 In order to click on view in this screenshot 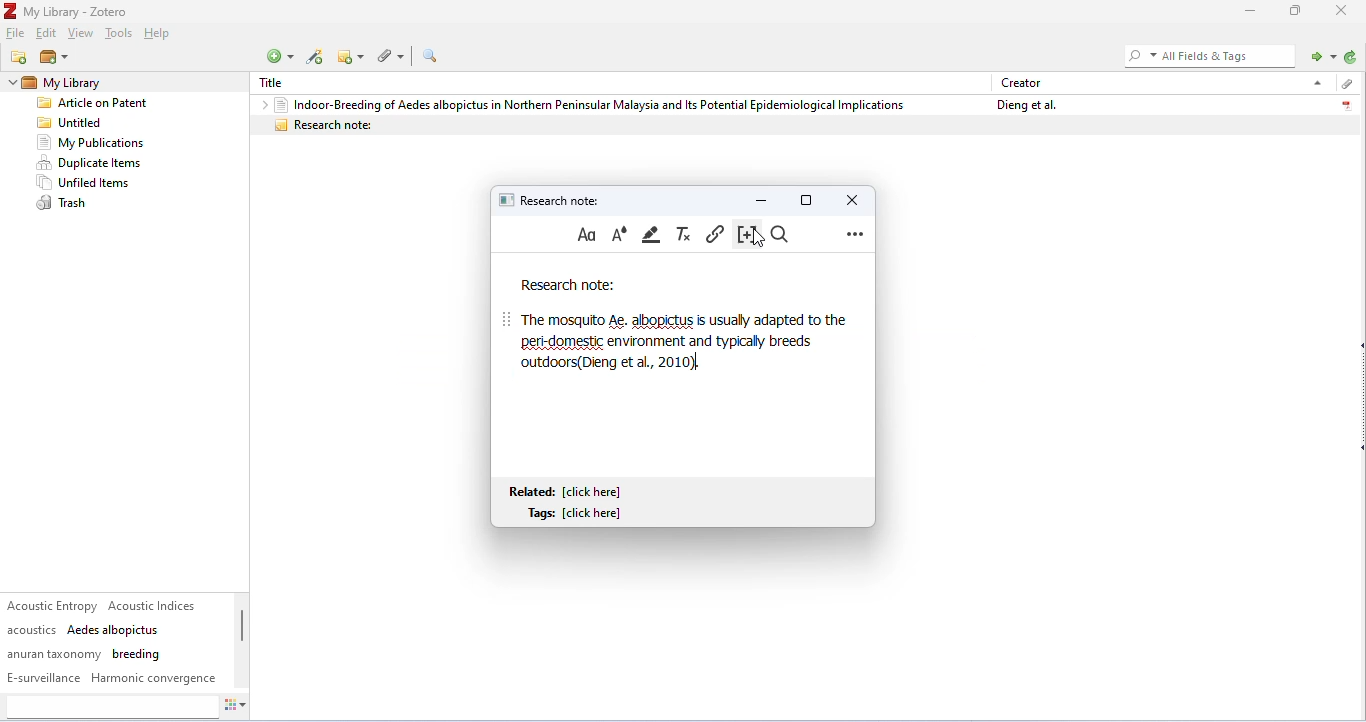, I will do `click(81, 34)`.